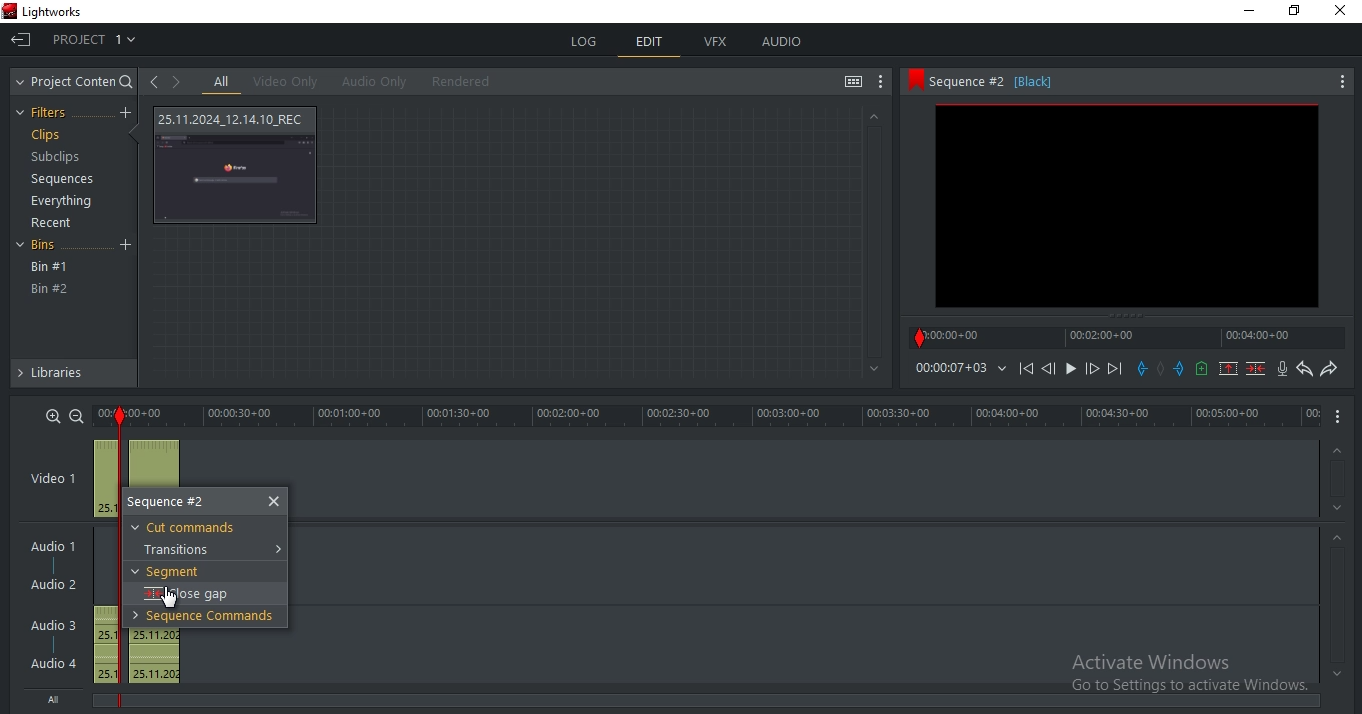 This screenshot has width=1362, height=714. Describe the element at coordinates (1143, 369) in the screenshot. I see `add a in mark` at that location.